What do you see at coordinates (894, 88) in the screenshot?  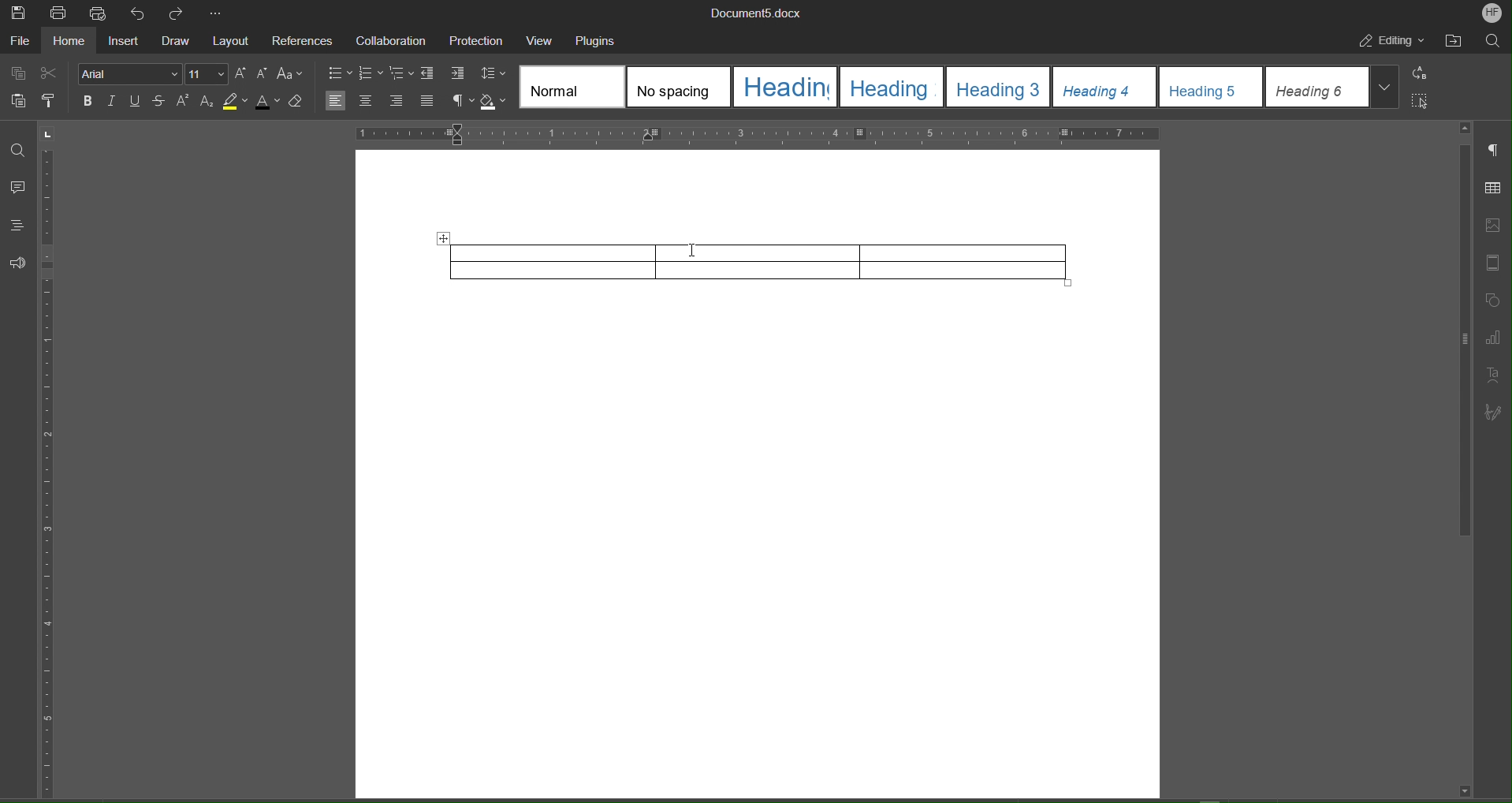 I see `heading 2` at bounding box center [894, 88].